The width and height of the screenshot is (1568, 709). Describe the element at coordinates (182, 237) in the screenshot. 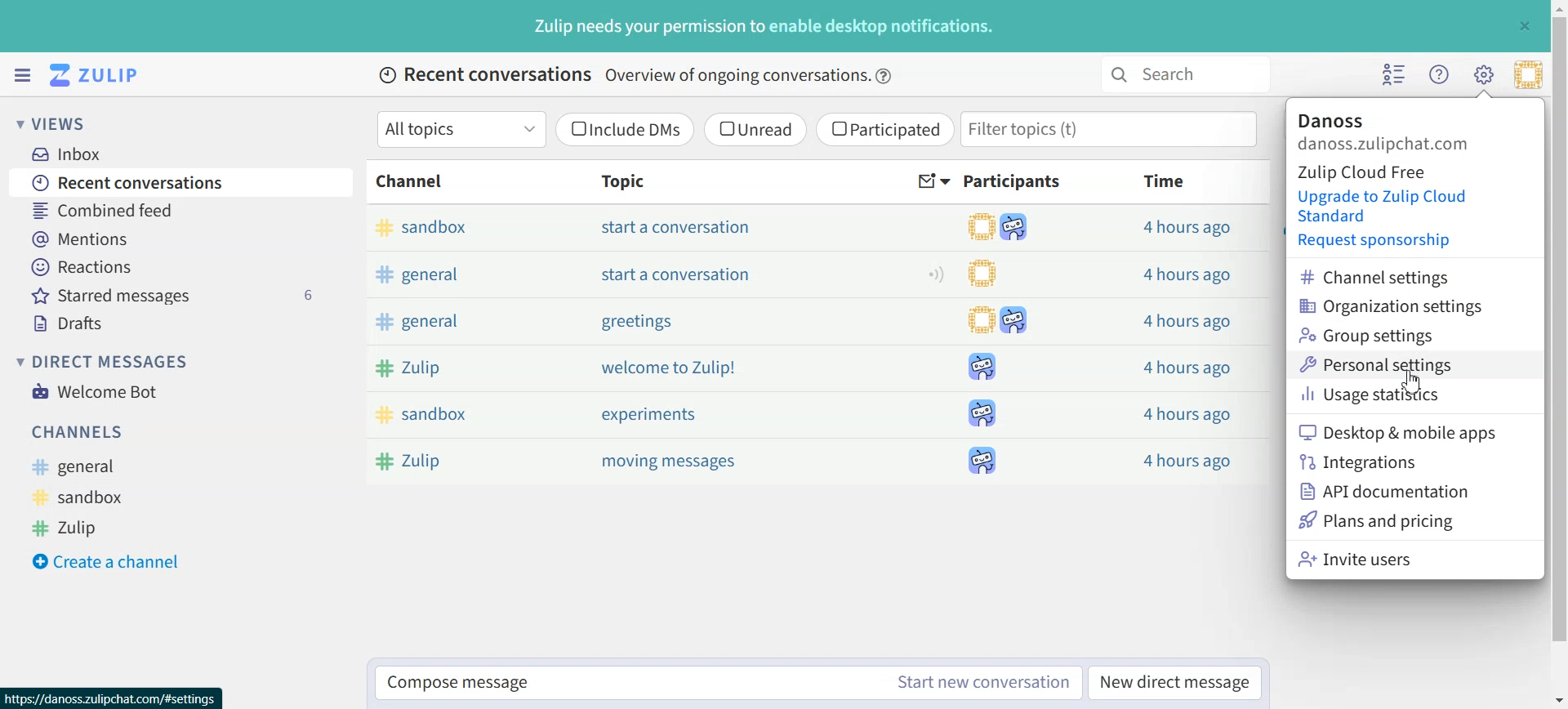

I see `Mentions` at that location.